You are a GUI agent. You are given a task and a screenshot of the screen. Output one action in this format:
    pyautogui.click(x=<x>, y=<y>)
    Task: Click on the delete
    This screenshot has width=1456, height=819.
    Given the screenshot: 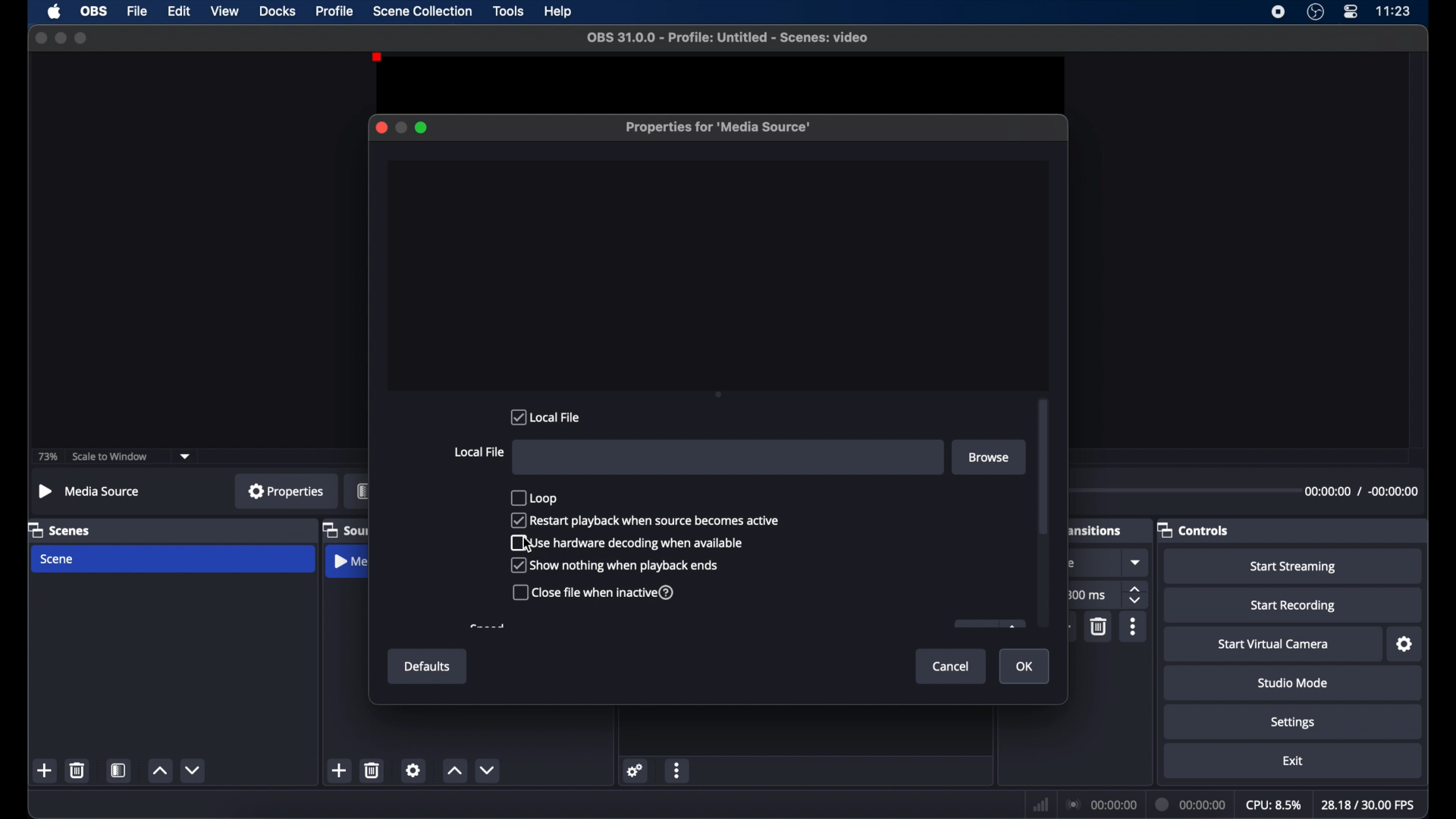 What is the action you would take?
    pyautogui.click(x=1098, y=626)
    